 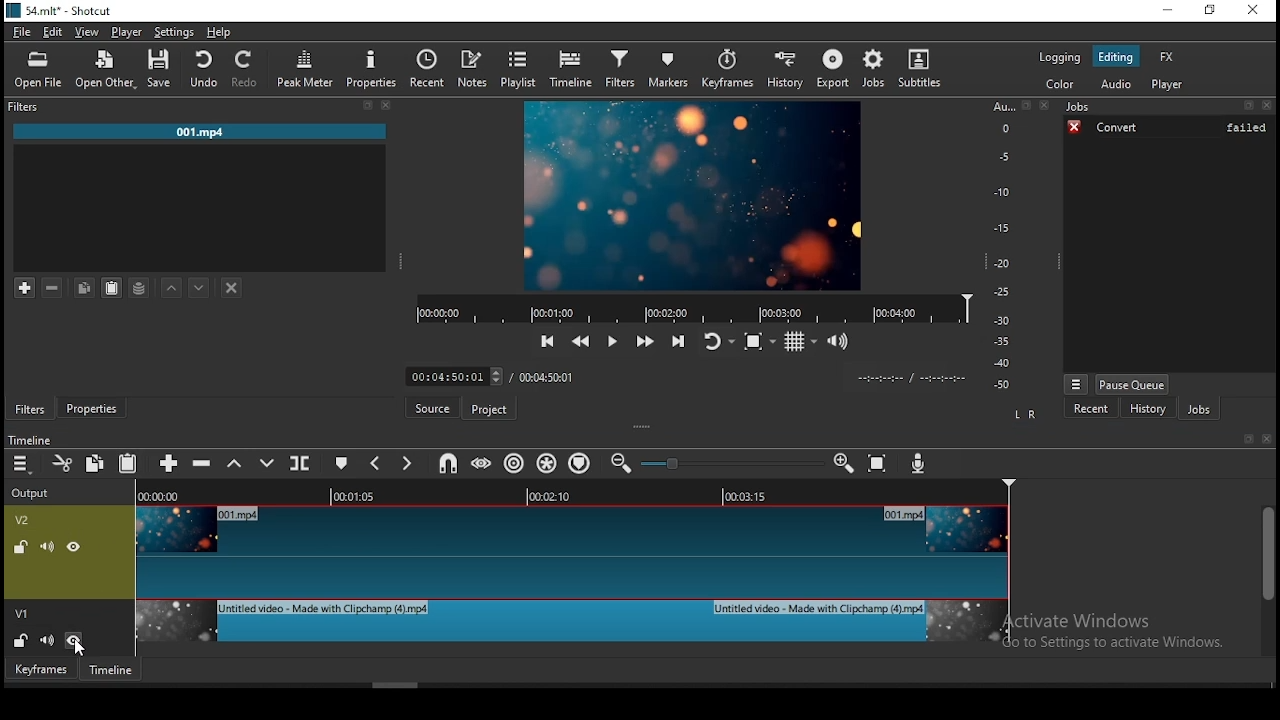 What do you see at coordinates (1211, 10) in the screenshot?
I see `restore` at bounding box center [1211, 10].